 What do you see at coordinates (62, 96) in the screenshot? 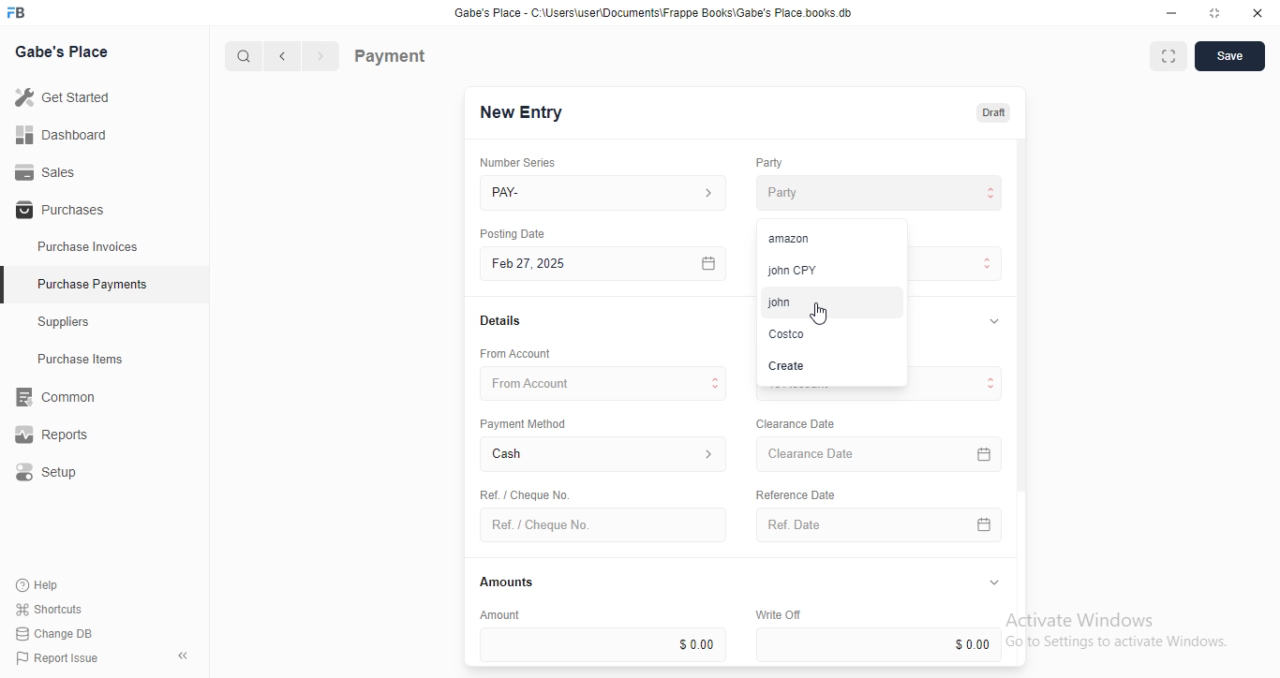
I see `Get Started` at bounding box center [62, 96].